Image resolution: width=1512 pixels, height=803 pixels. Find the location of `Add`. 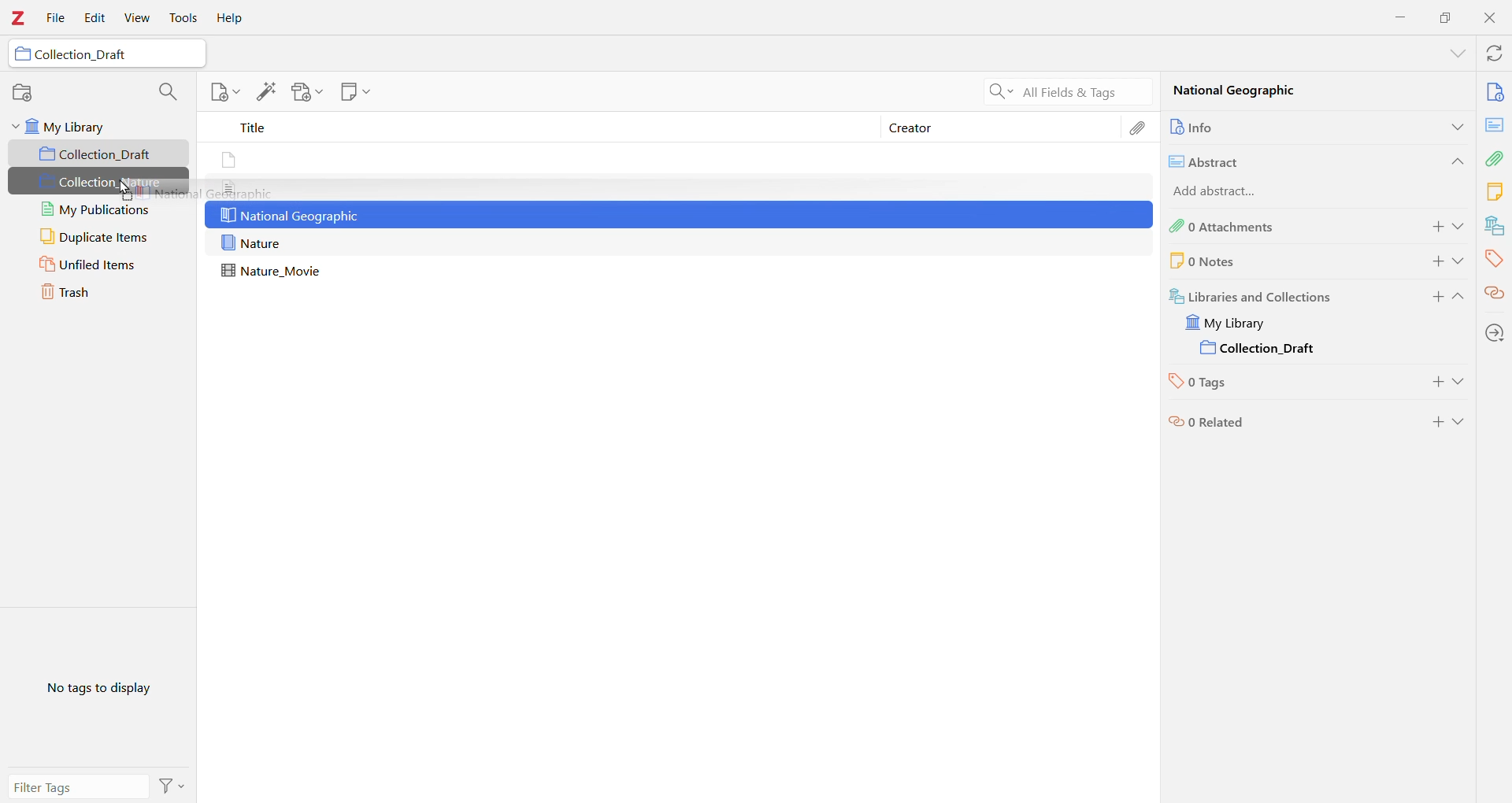

Add is located at coordinates (1433, 228).